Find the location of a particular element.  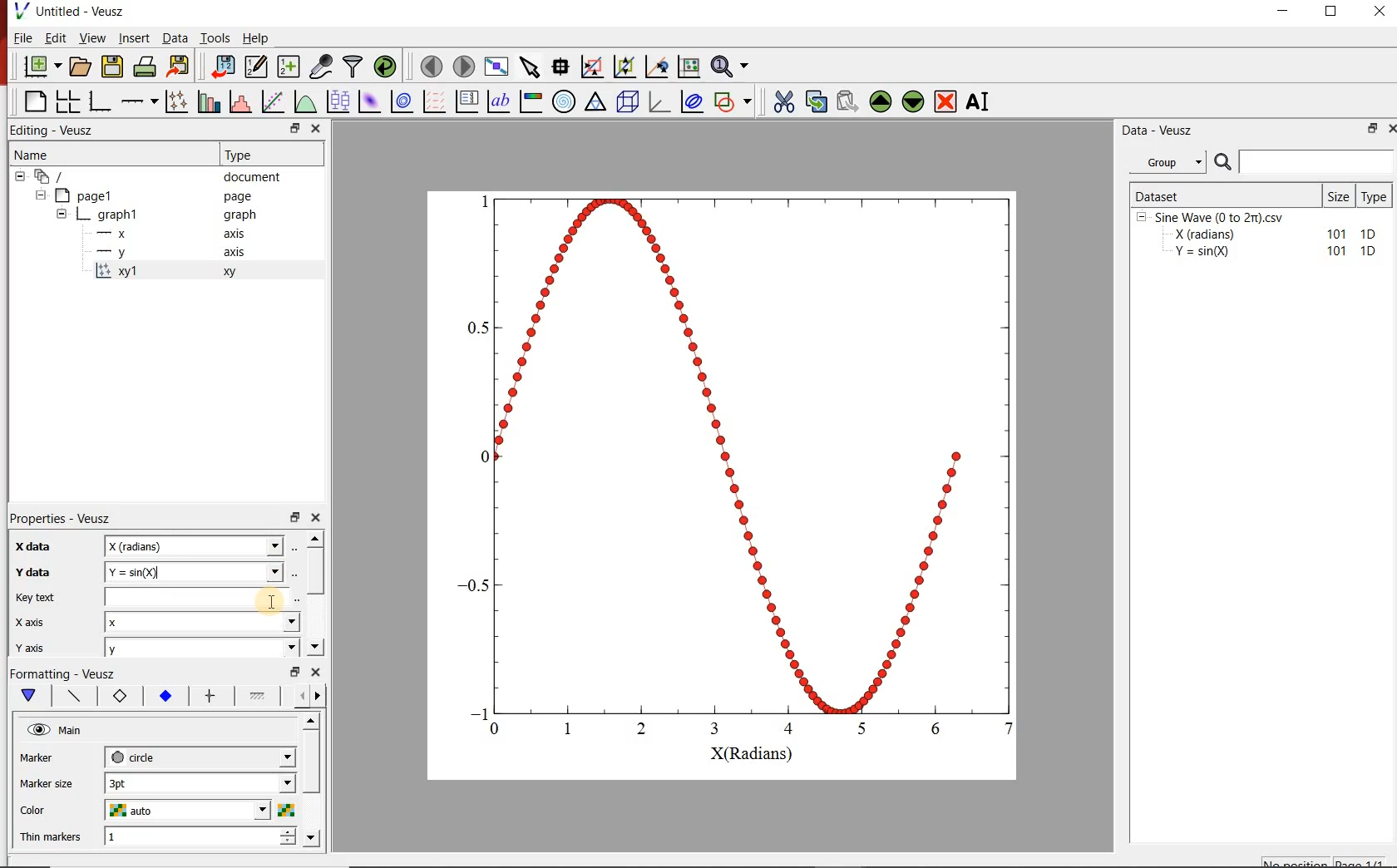

Logo is located at coordinates (21, 10).